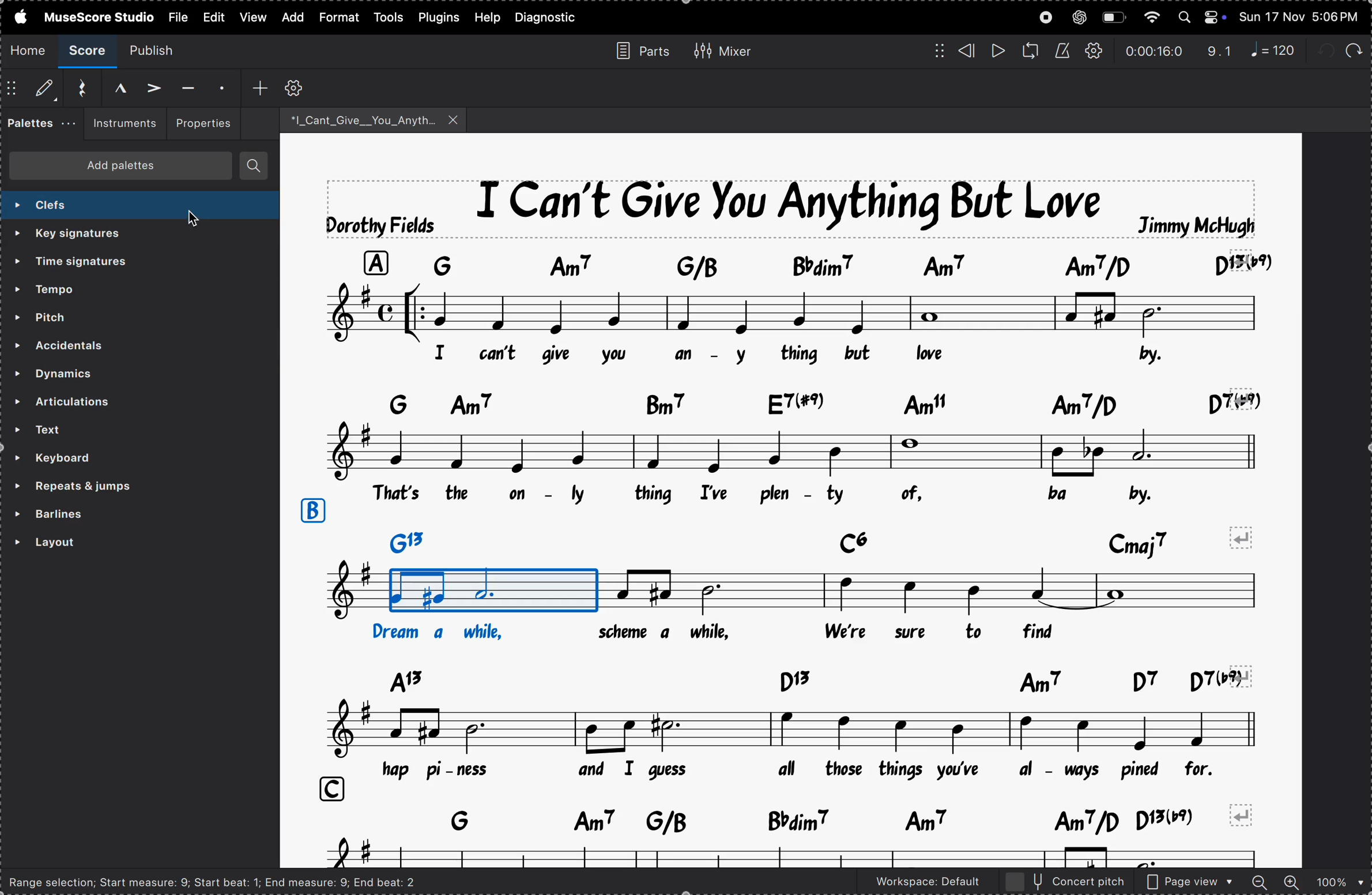 Image resolution: width=1372 pixels, height=895 pixels. Describe the element at coordinates (110, 87) in the screenshot. I see `Marcato` at that location.